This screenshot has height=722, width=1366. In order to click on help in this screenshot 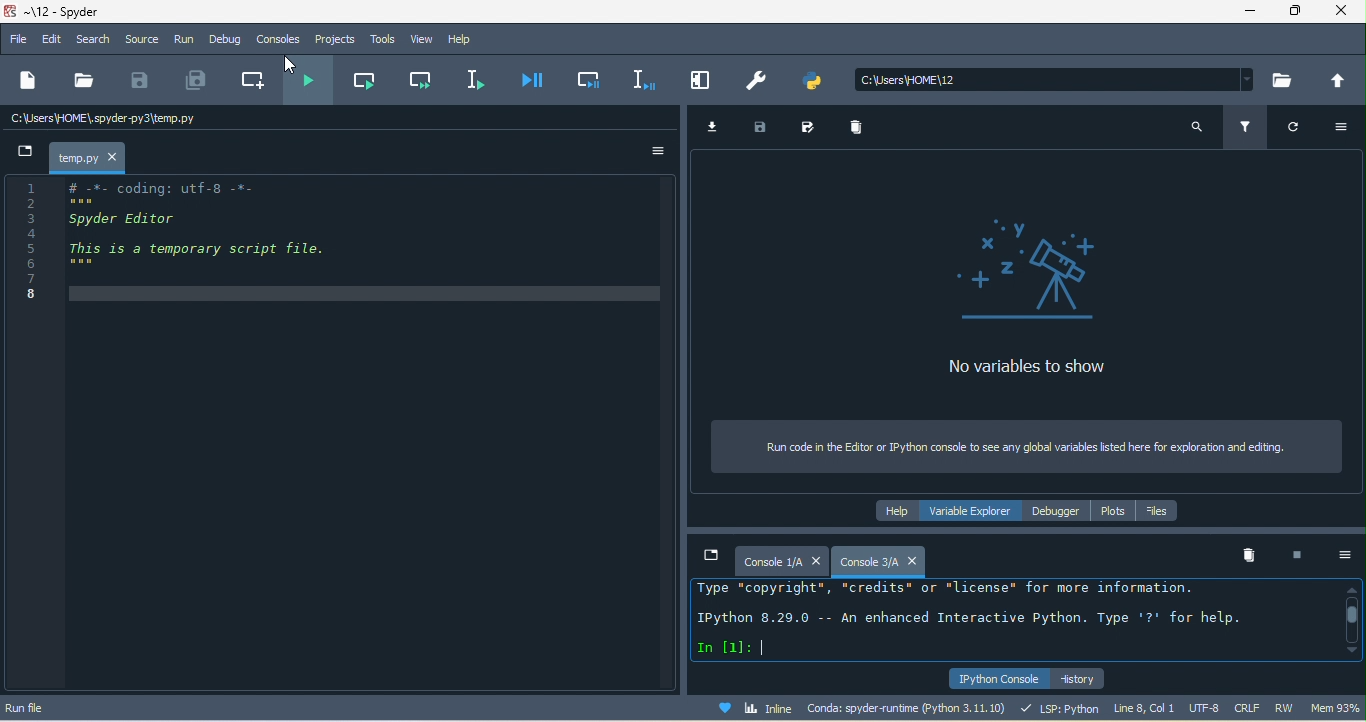, I will do `click(896, 512)`.